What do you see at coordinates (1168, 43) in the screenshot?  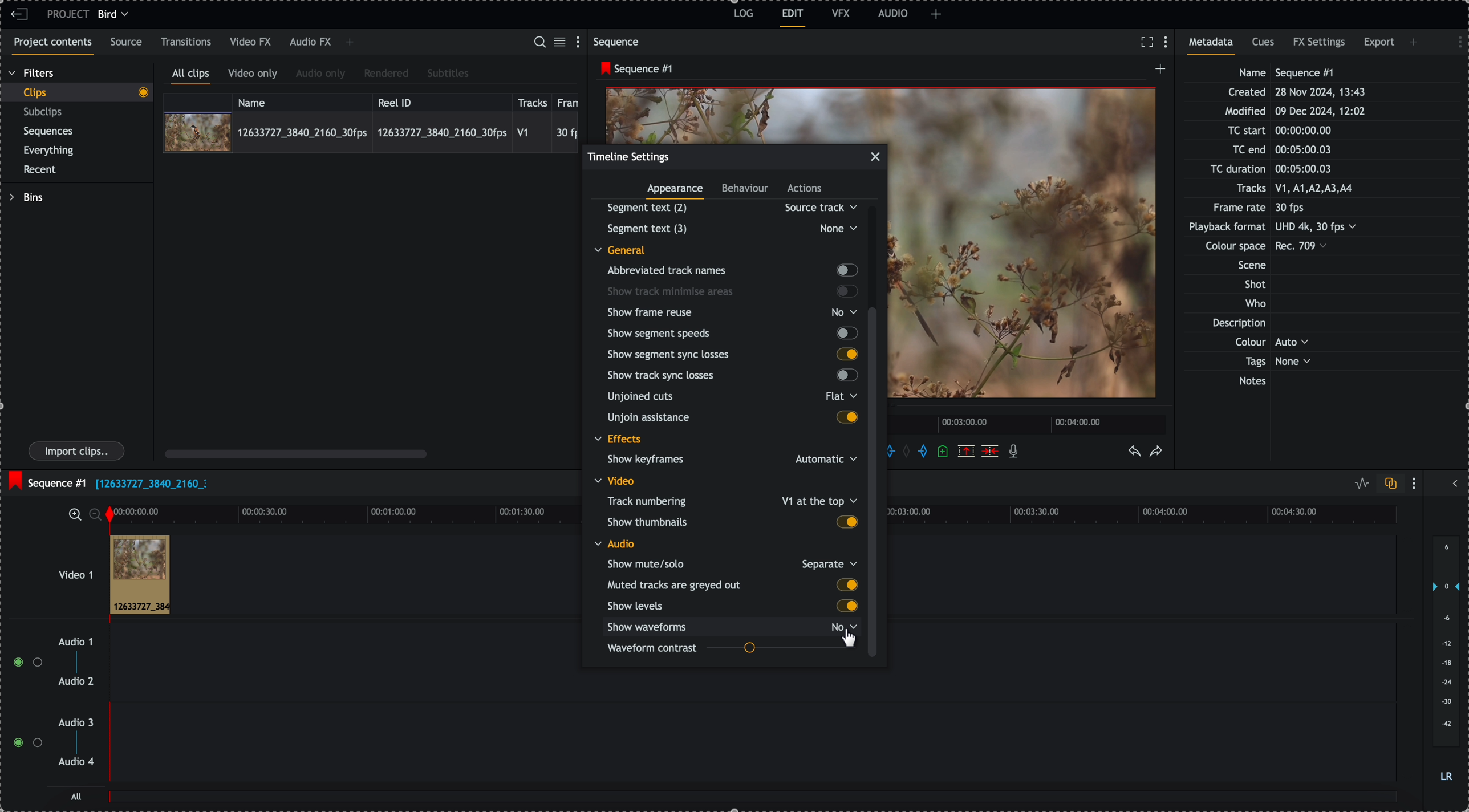 I see `show settings menu` at bounding box center [1168, 43].